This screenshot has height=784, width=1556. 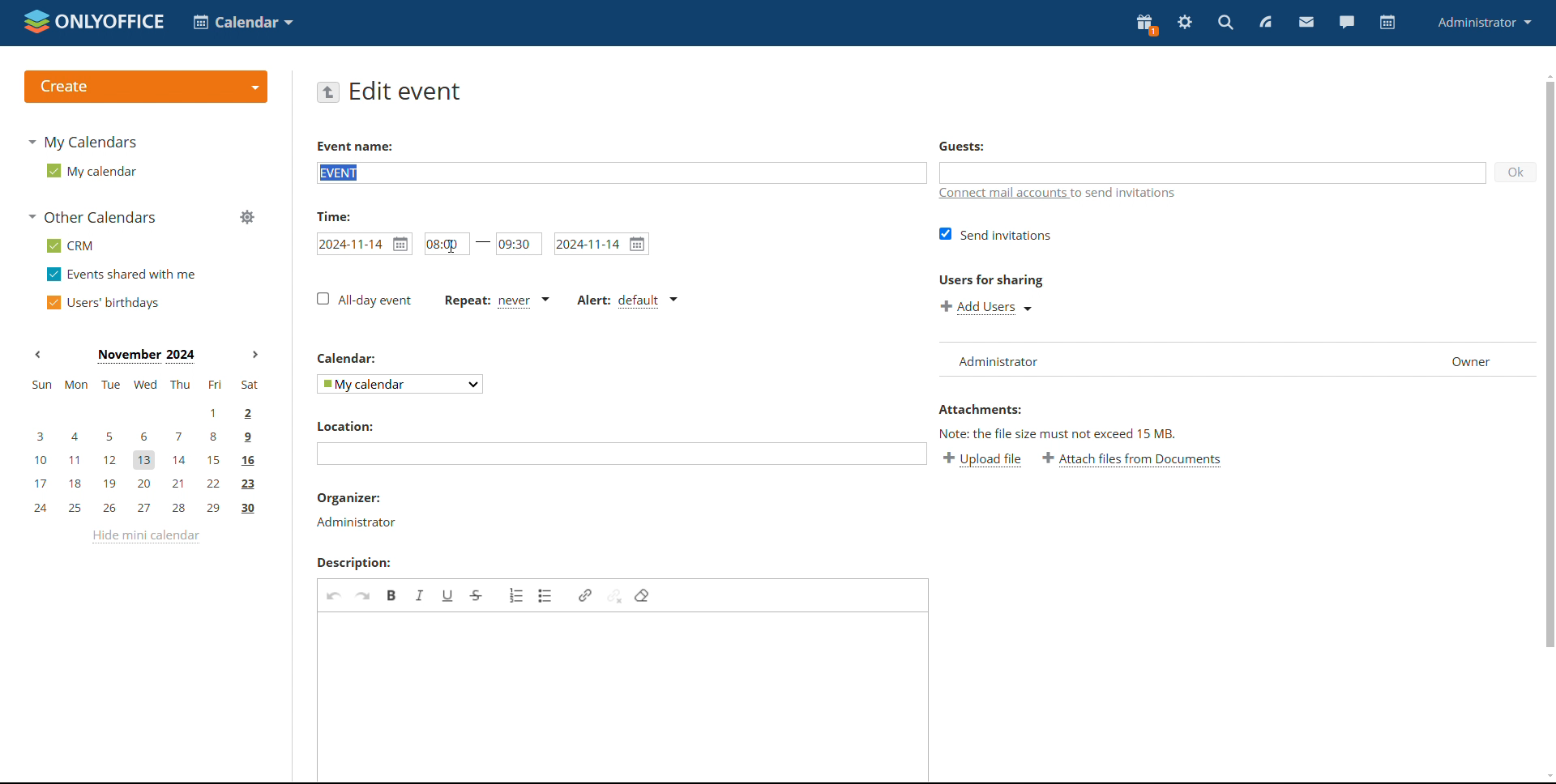 I want to click on note: the file size must not exceed 15 mb, so click(x=1059, y=432).